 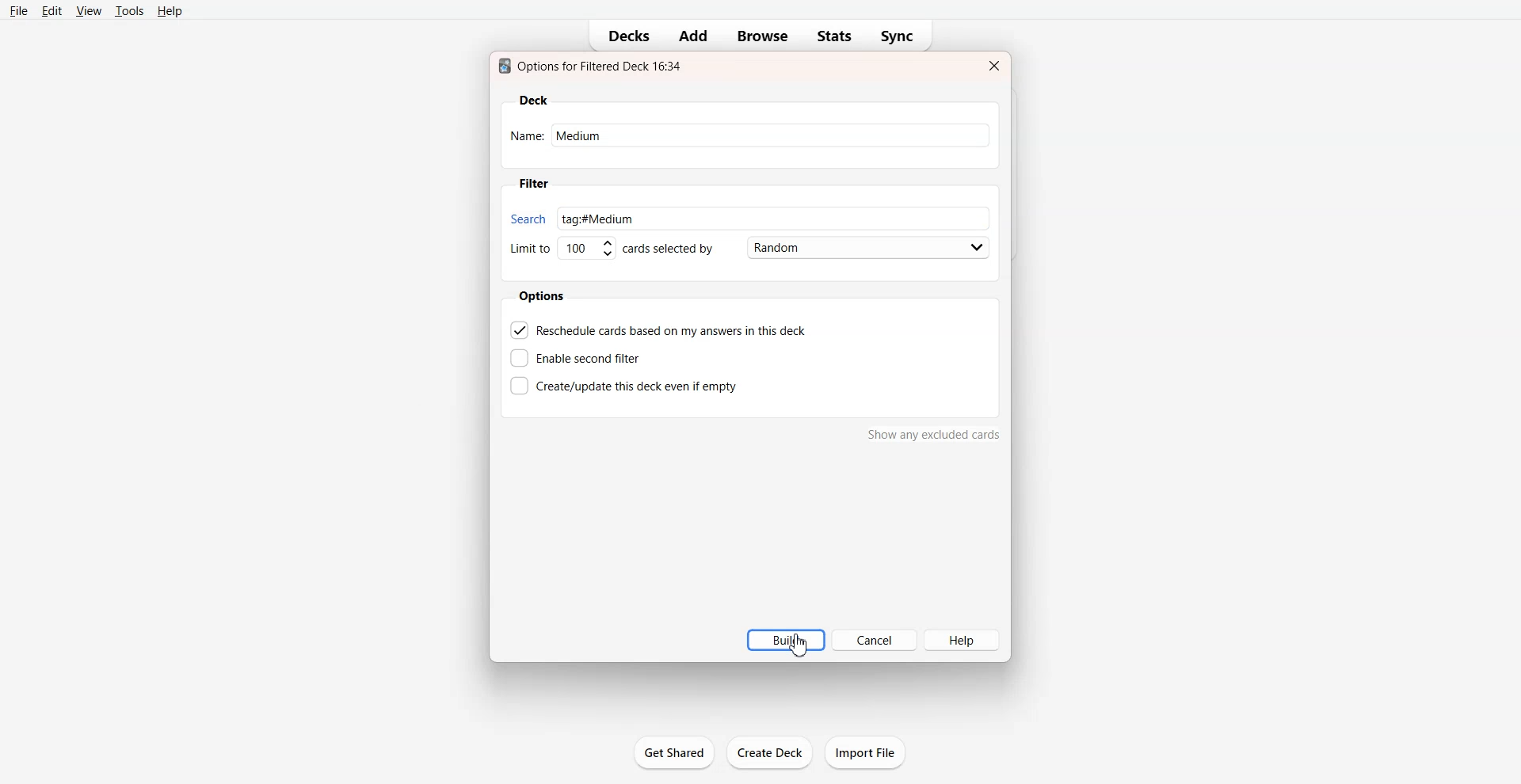 I want to click on import file, so click(x=871, y=752).